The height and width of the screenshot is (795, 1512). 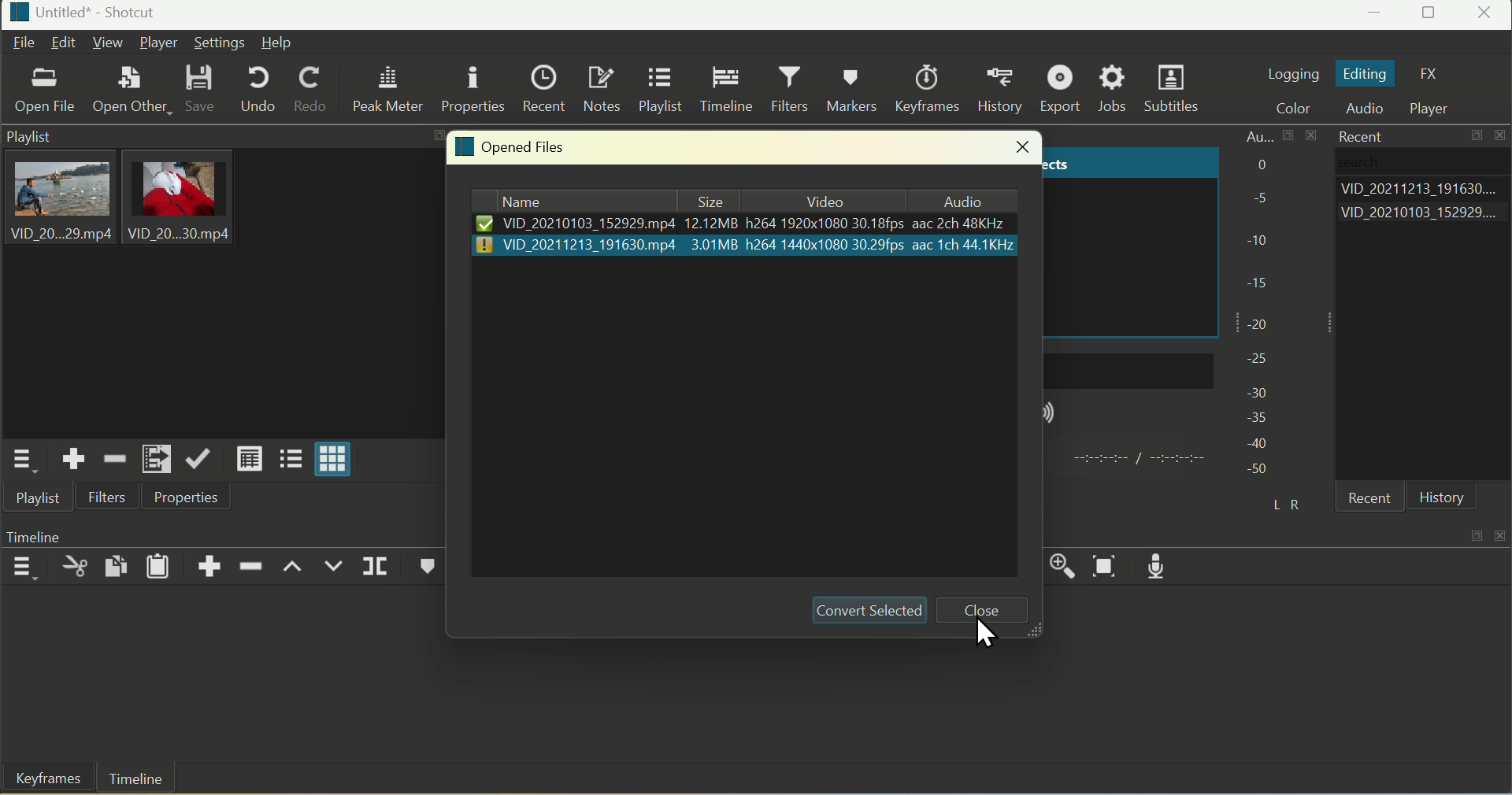 I want to click on Update, so click(x=198, y=457).